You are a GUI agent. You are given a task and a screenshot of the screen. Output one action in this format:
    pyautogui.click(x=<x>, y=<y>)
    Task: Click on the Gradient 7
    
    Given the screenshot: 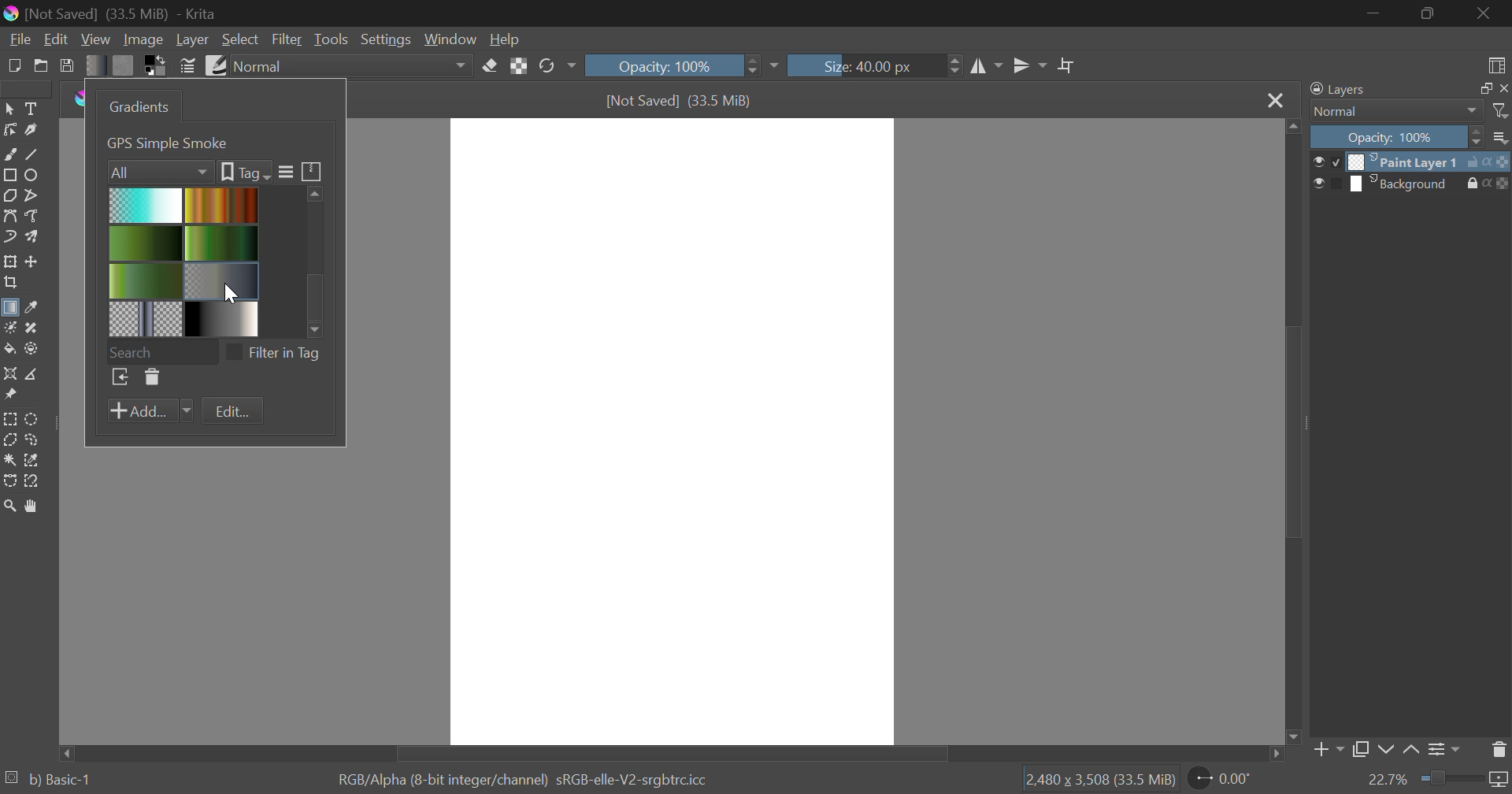 What is the action you would take?
    pyautogui.click(x=146, y=318)
    